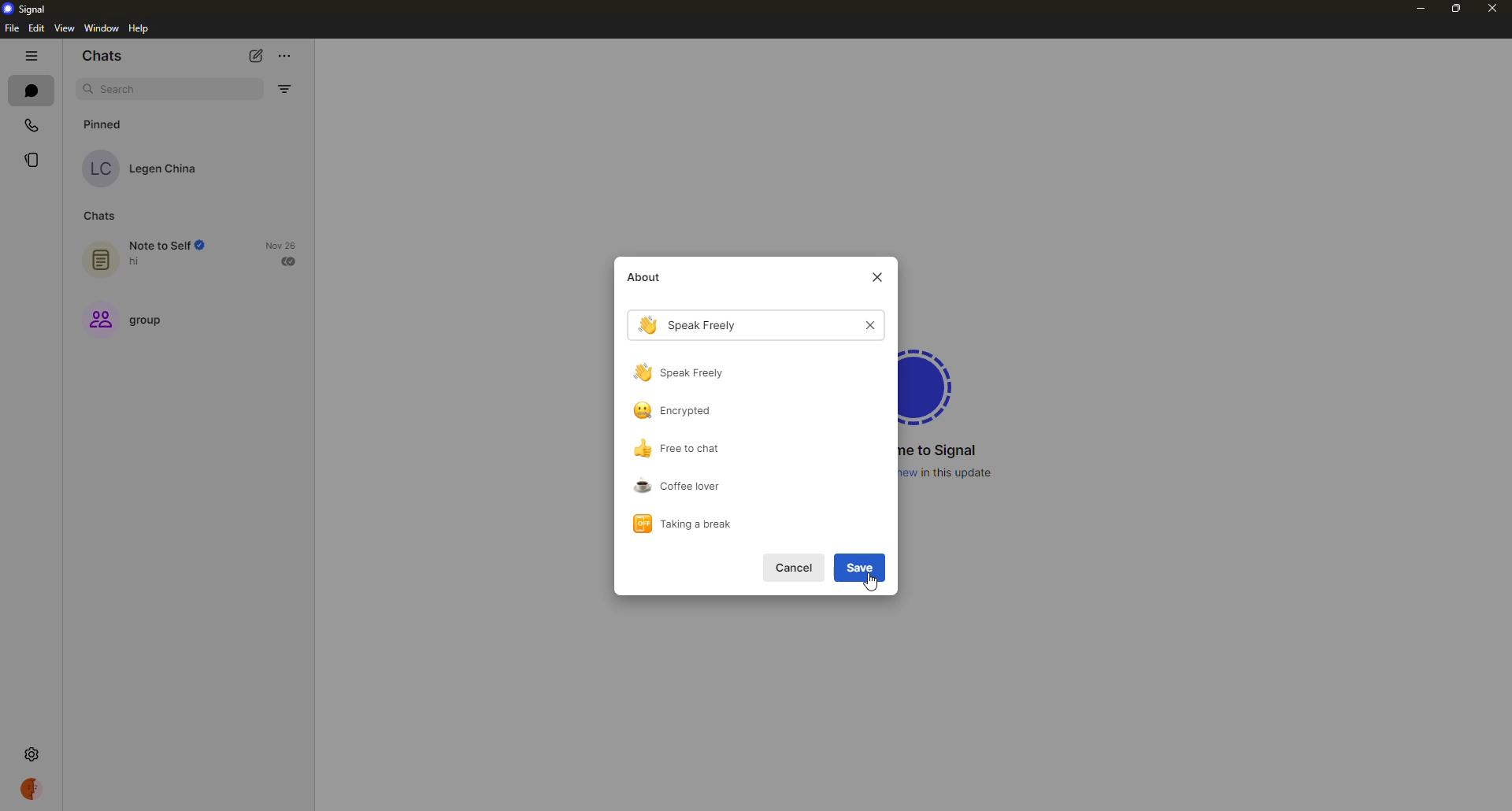  I want to click on speak freely, so click(687, 372).